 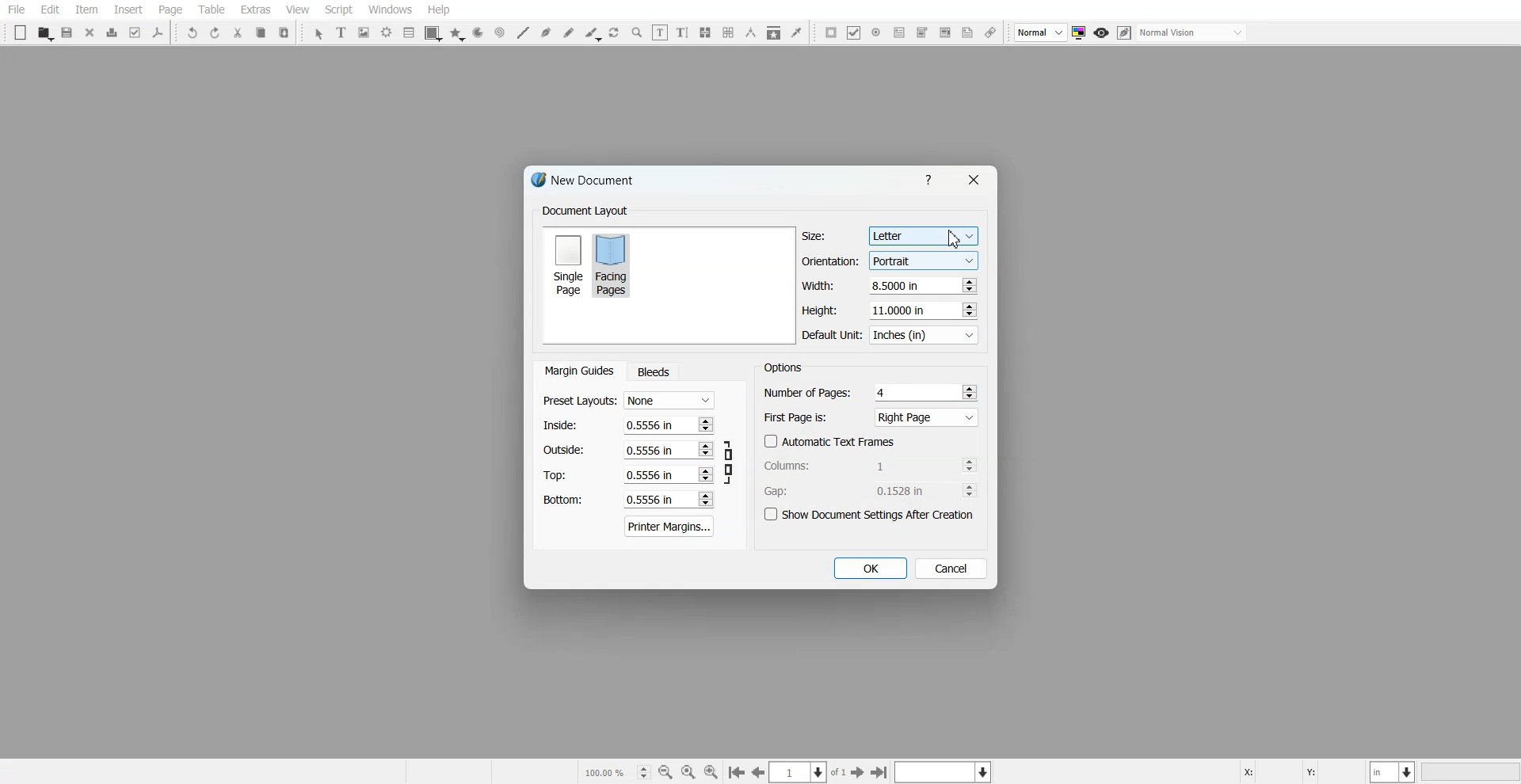 What do you see at coordinates (627, 500) in the screenshot?
I see `Bottom margin adjuster` at bounding box center [627, 500].